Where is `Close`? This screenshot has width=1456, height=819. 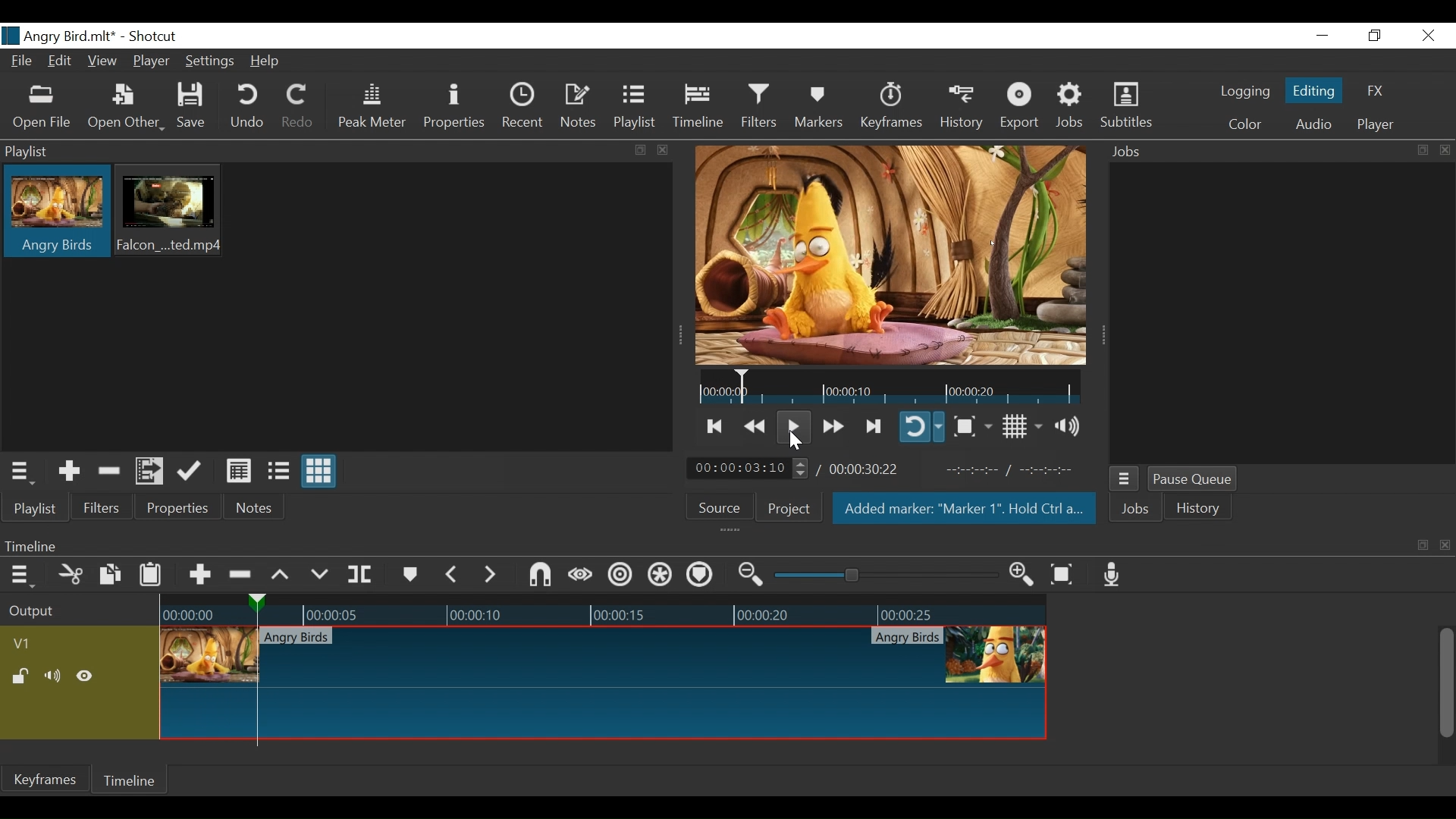
Close is located at coordinates (1428, 36).